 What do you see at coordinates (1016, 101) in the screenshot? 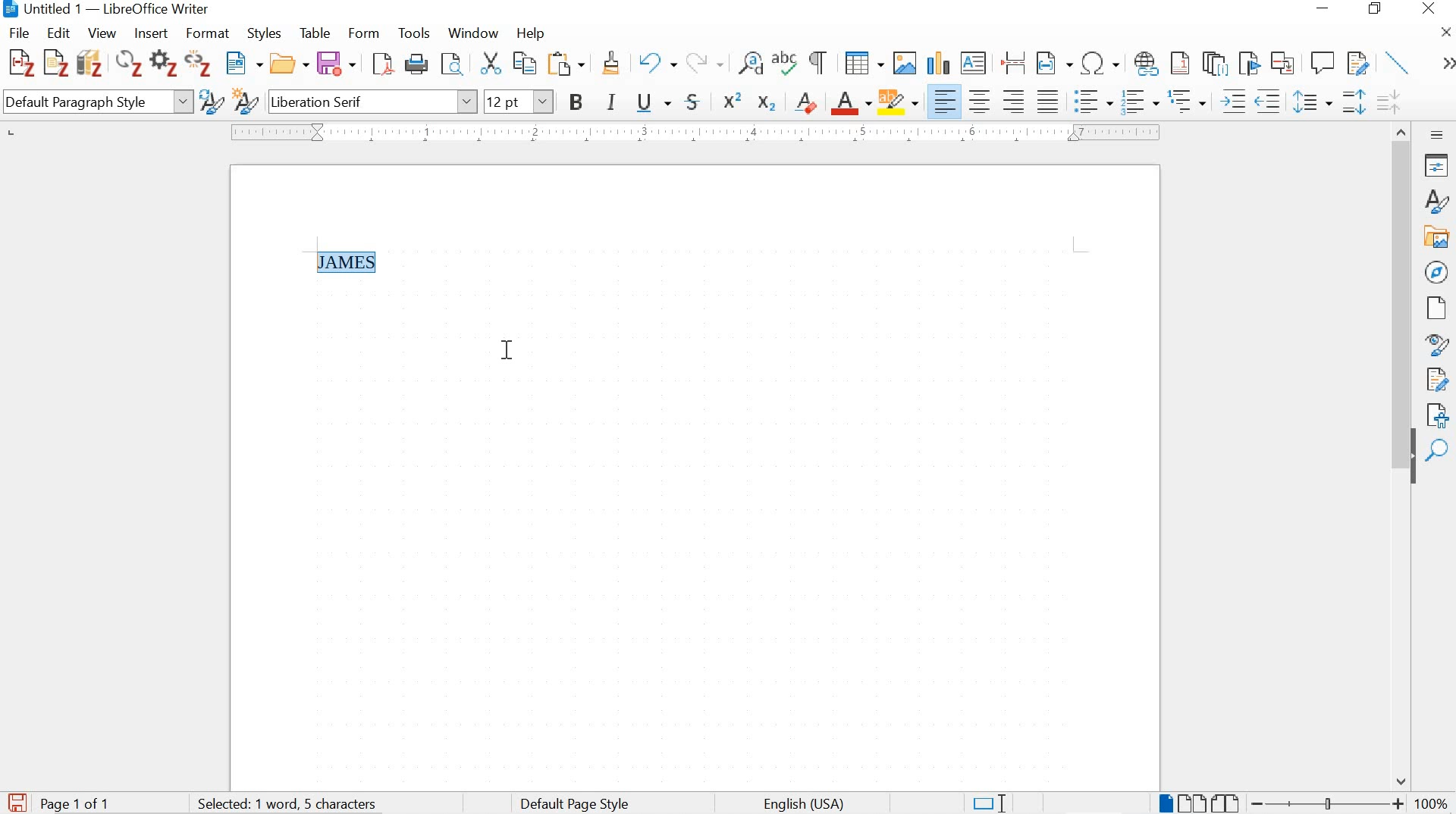
I see `align right` at bounding box center [1016, 101].